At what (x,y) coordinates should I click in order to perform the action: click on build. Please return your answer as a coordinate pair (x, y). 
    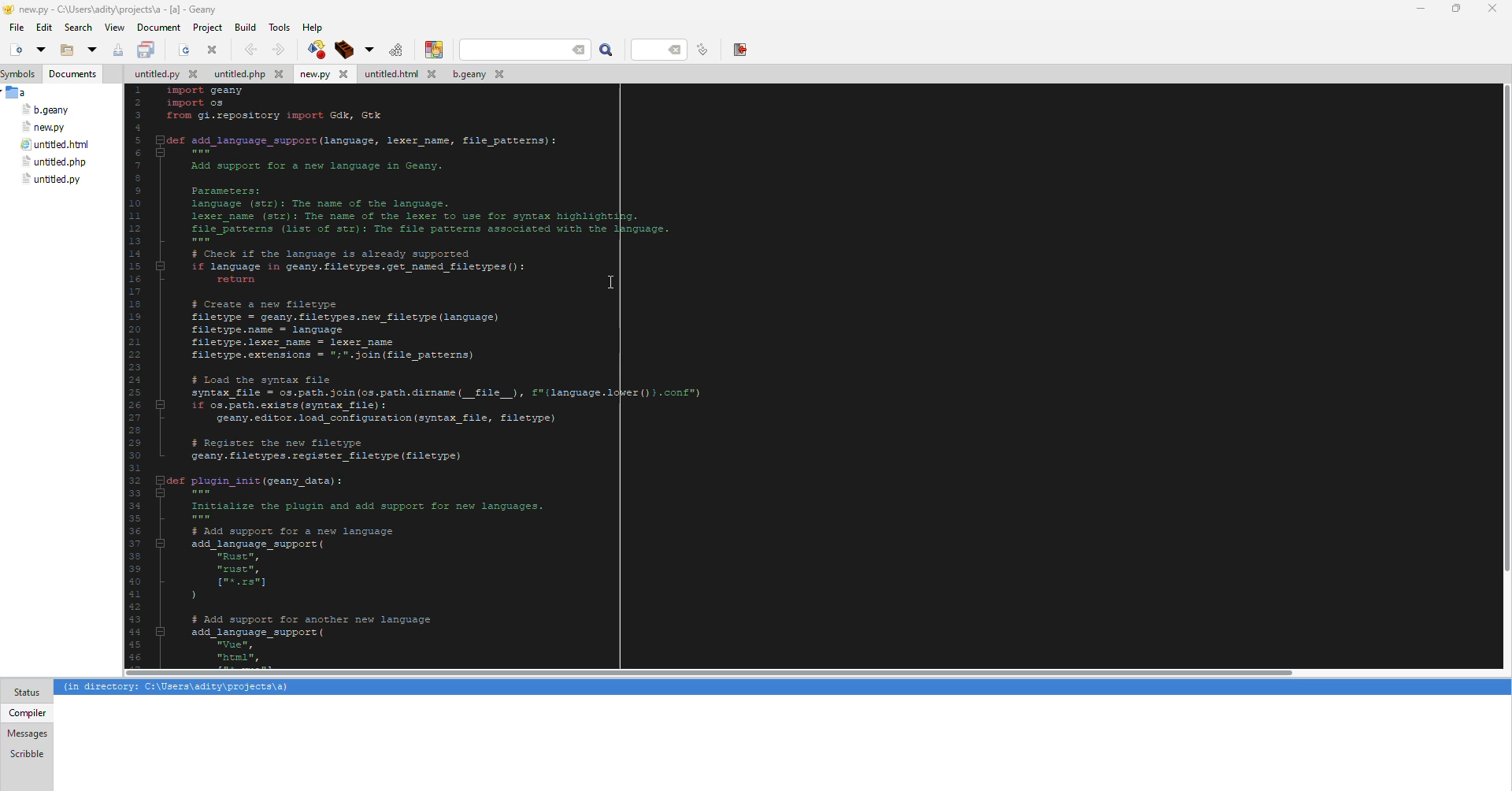
    Looking at the image, I should click on (245, 28).